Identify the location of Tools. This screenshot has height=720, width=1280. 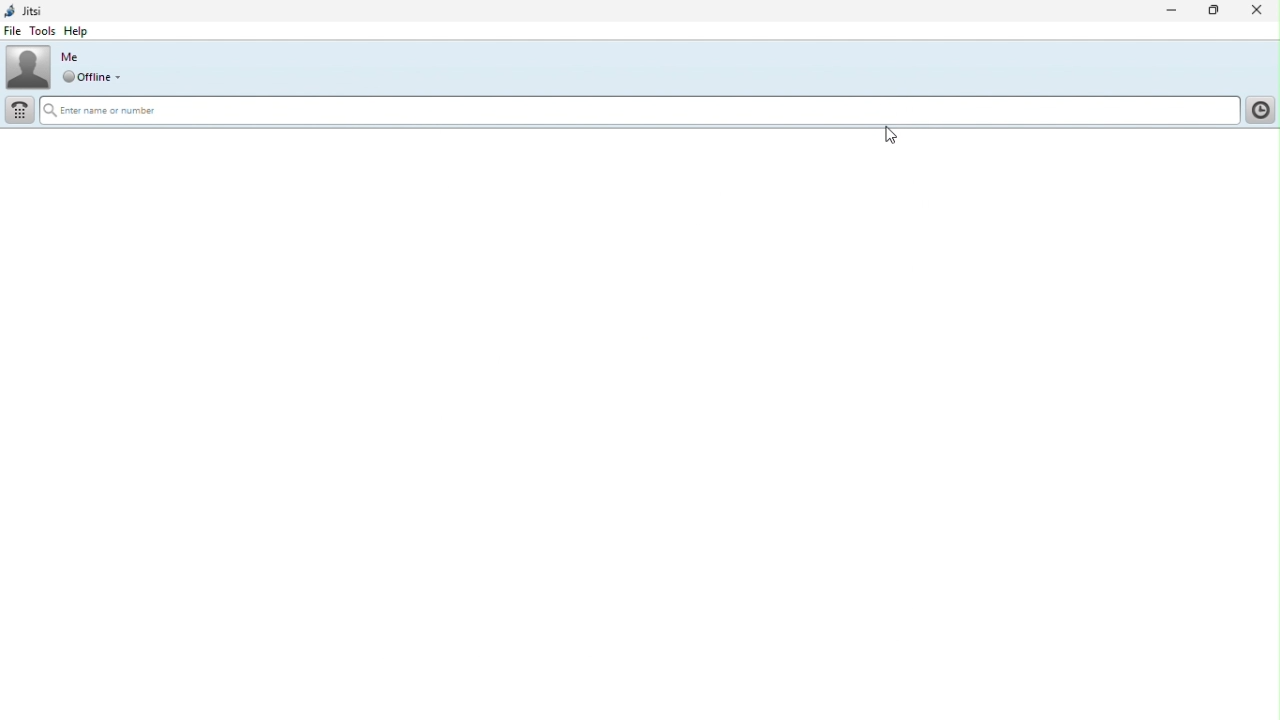
(42, 31).